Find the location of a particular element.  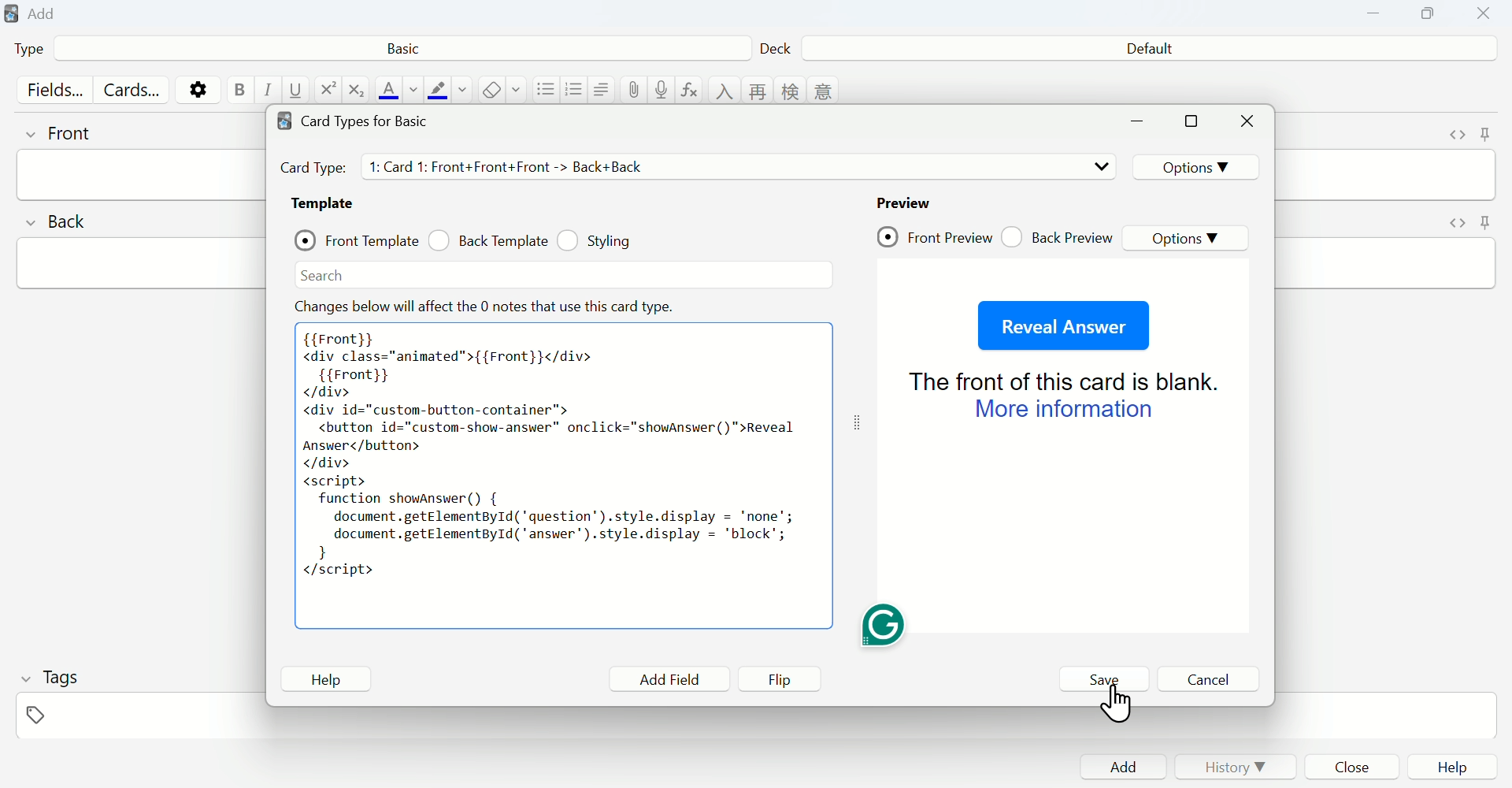

underline text is located at coordinates (296, 90).